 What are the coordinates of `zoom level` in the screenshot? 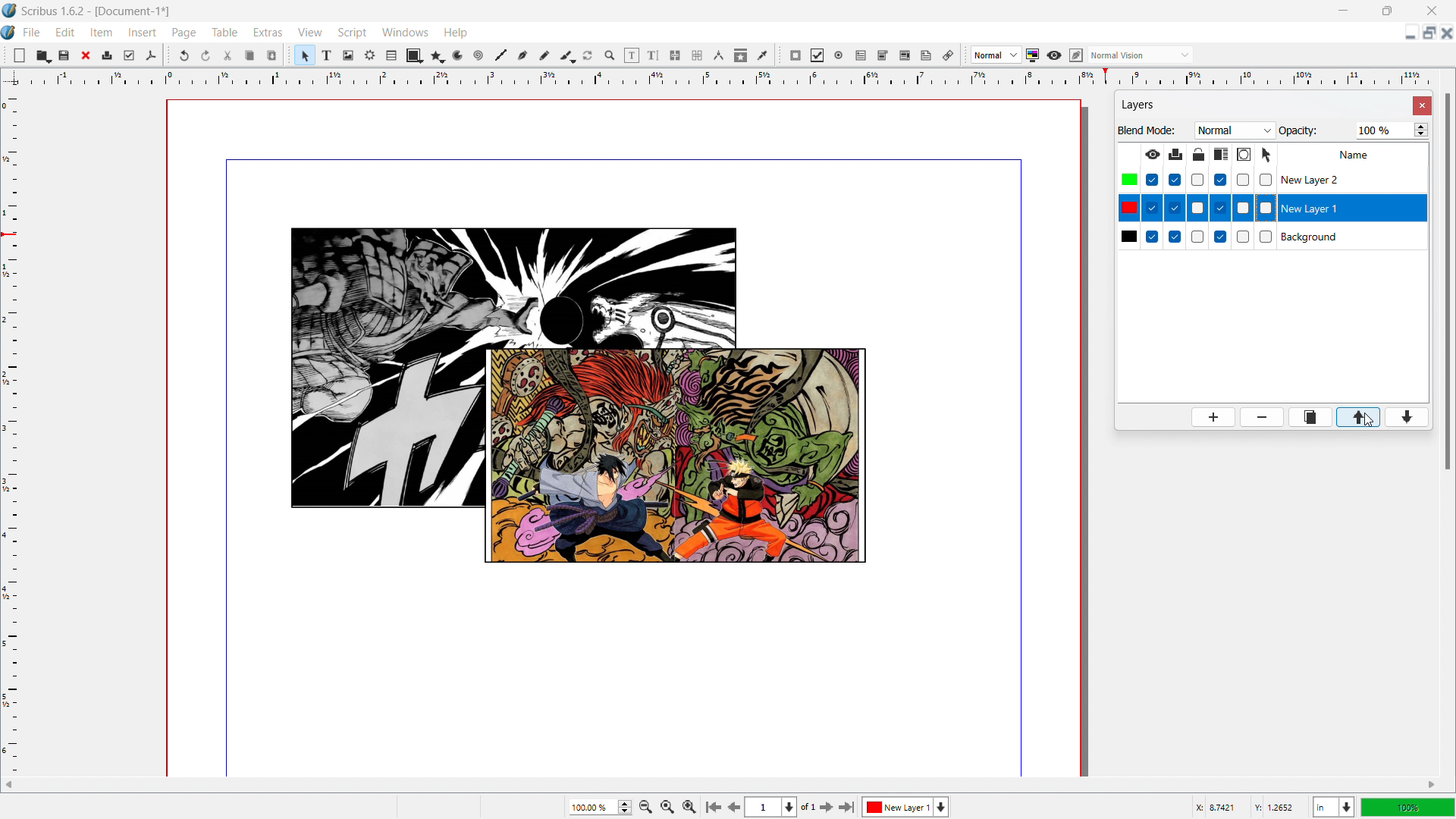 It's located at (1409, 807).